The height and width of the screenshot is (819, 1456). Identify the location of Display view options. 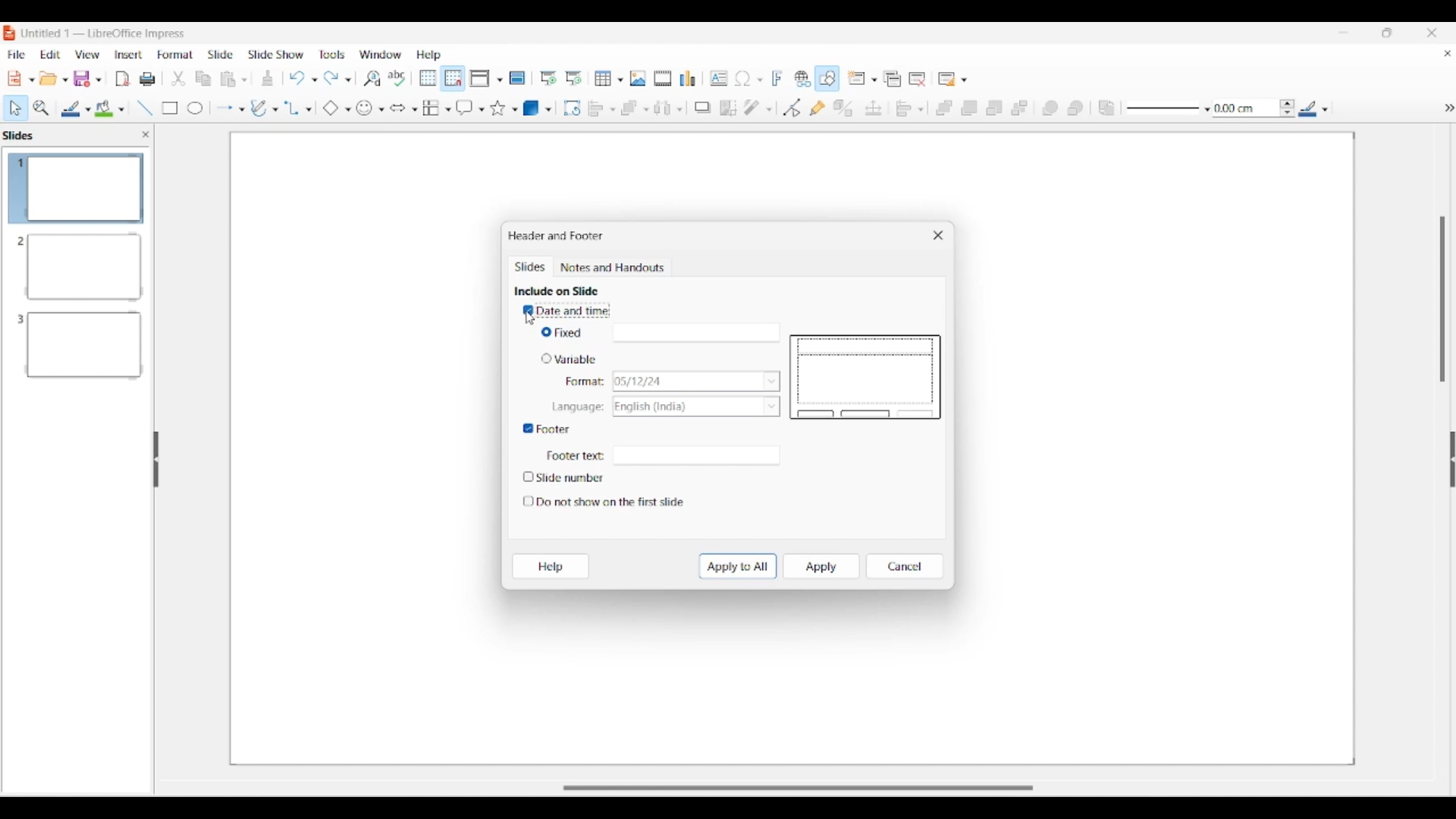
(487, 78).